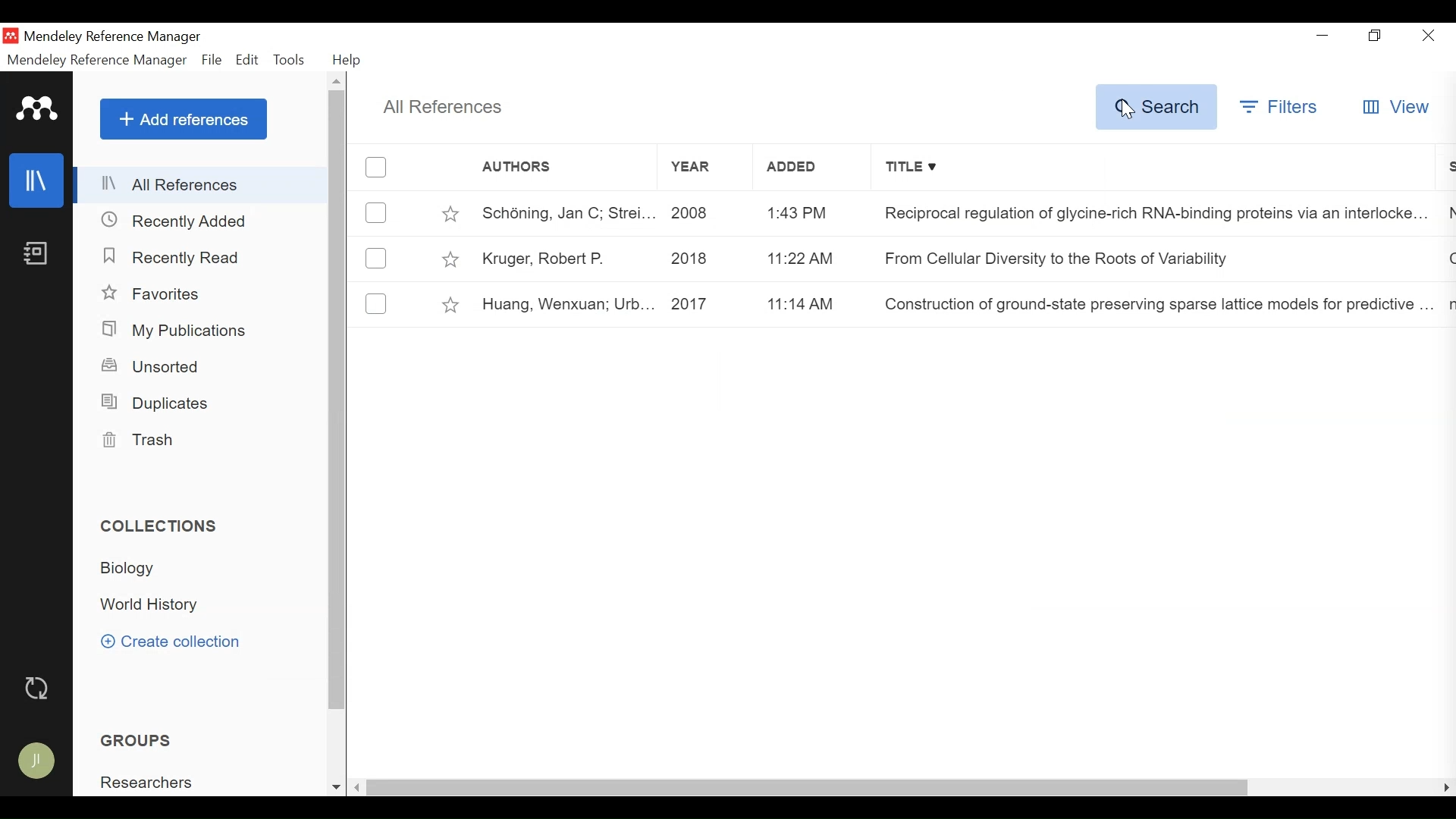 This screenshot has width=1456, height=819. Describe the element at coordinates (37, 253) in the screenshot. I see `Notebook` at that location.